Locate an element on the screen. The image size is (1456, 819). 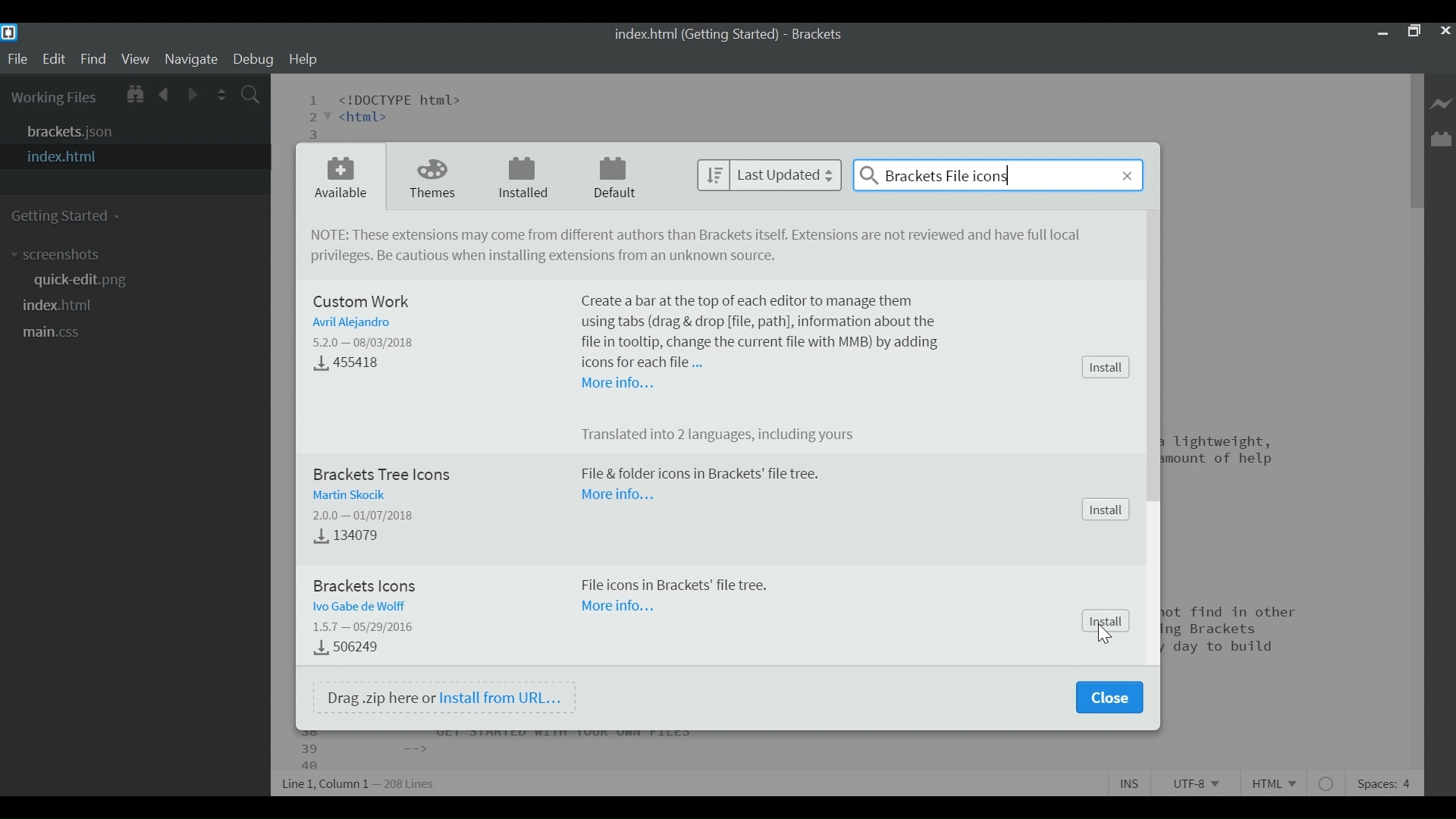
Split the Editor Vertically or Horizontally is located at coordinates (224, 93).